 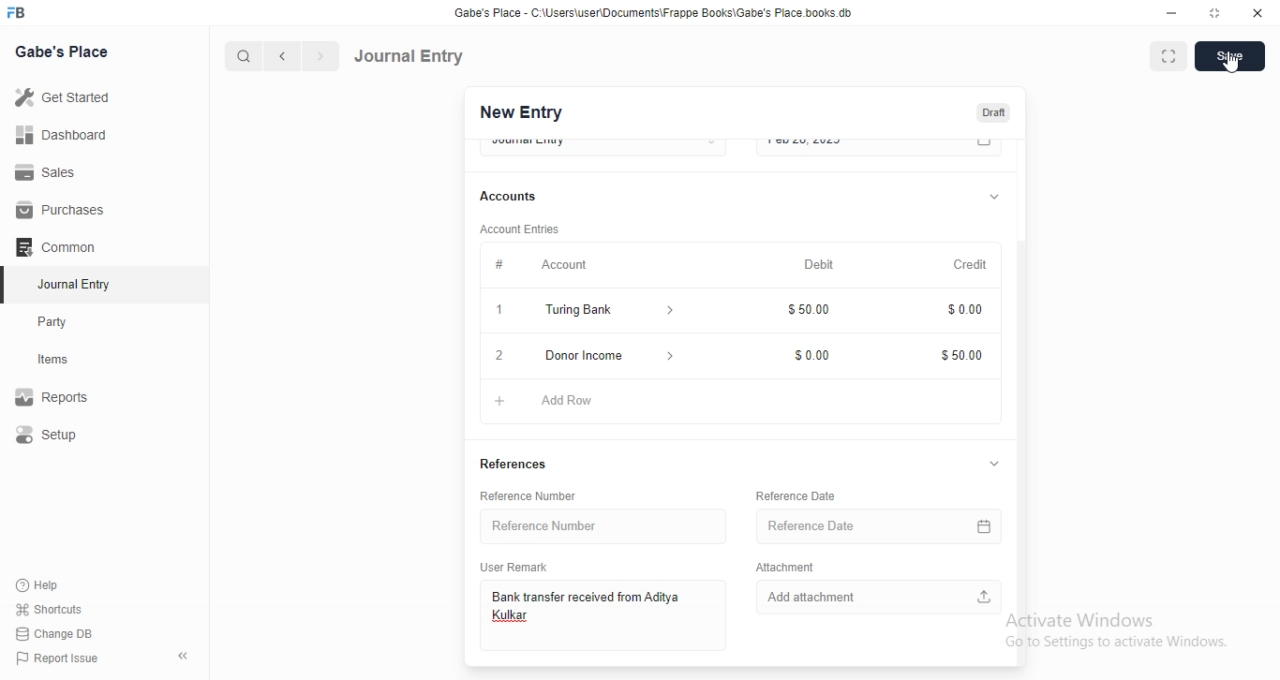 I want to click on Reference Number, so click(x=597, y=525).